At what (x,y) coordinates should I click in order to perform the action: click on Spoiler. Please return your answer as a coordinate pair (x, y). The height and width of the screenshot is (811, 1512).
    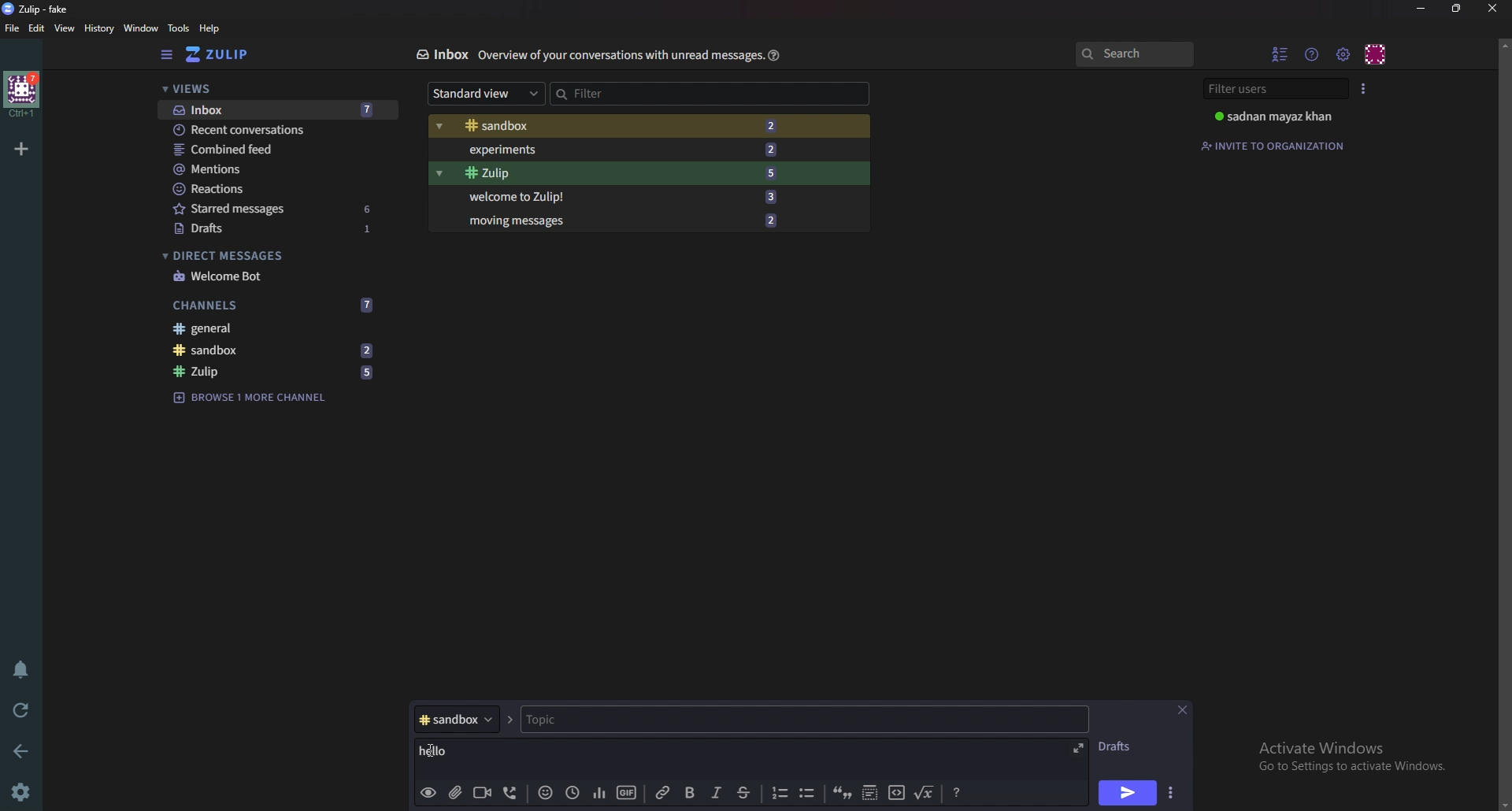
    Looking at the image, I should click on (871, 794).